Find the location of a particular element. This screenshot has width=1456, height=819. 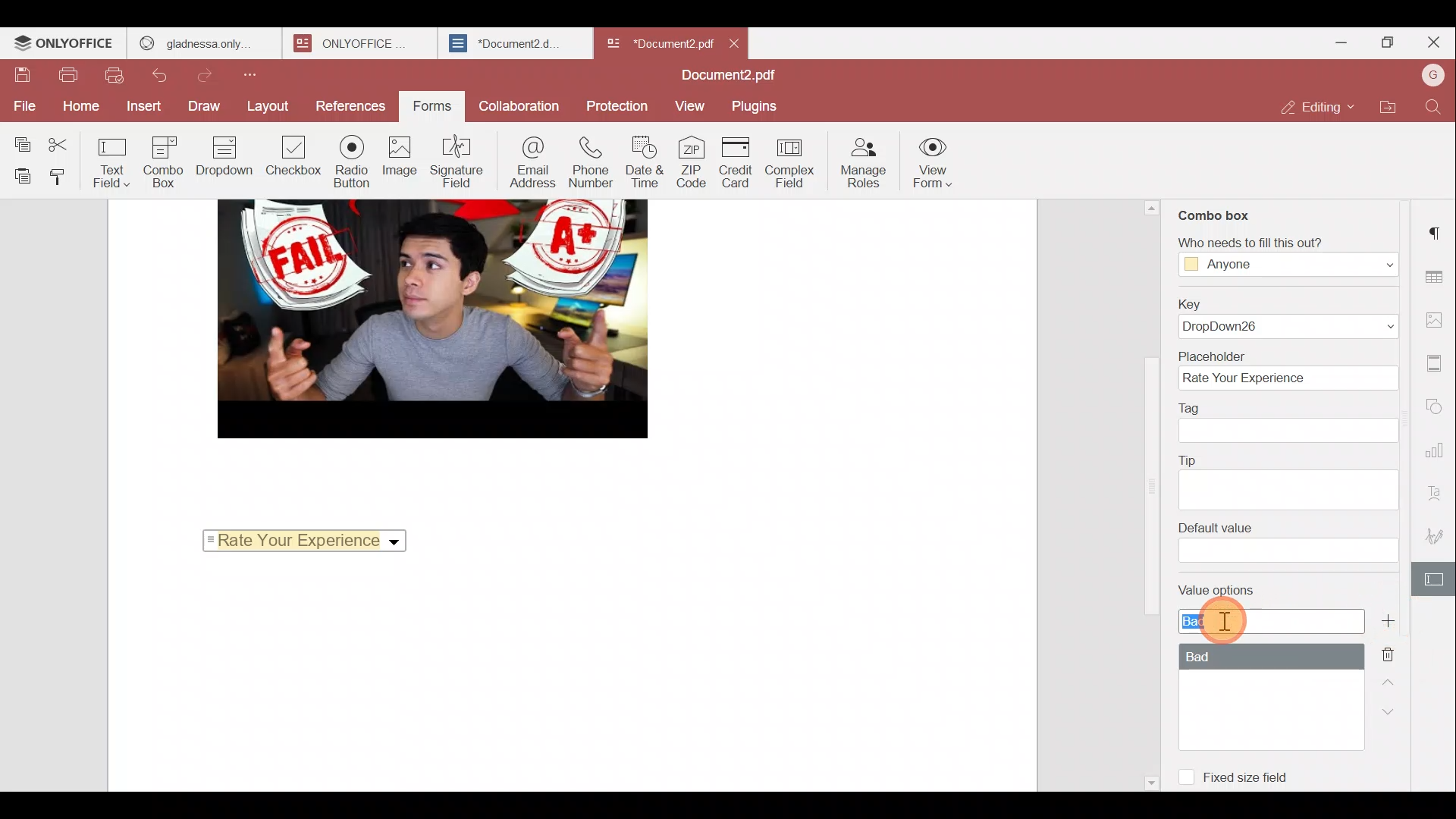

Default value is located at coordinates (1287, 542).